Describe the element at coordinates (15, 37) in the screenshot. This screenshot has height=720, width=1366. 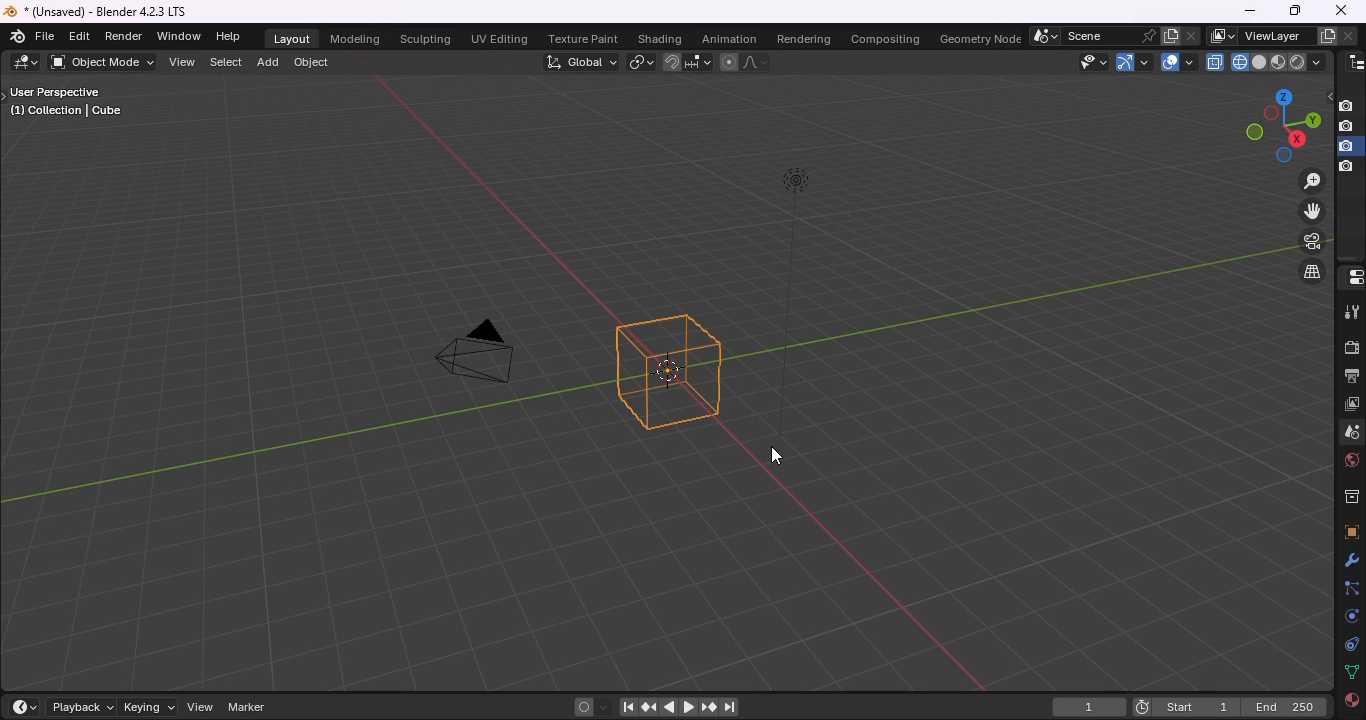
I see `blender` at that location.